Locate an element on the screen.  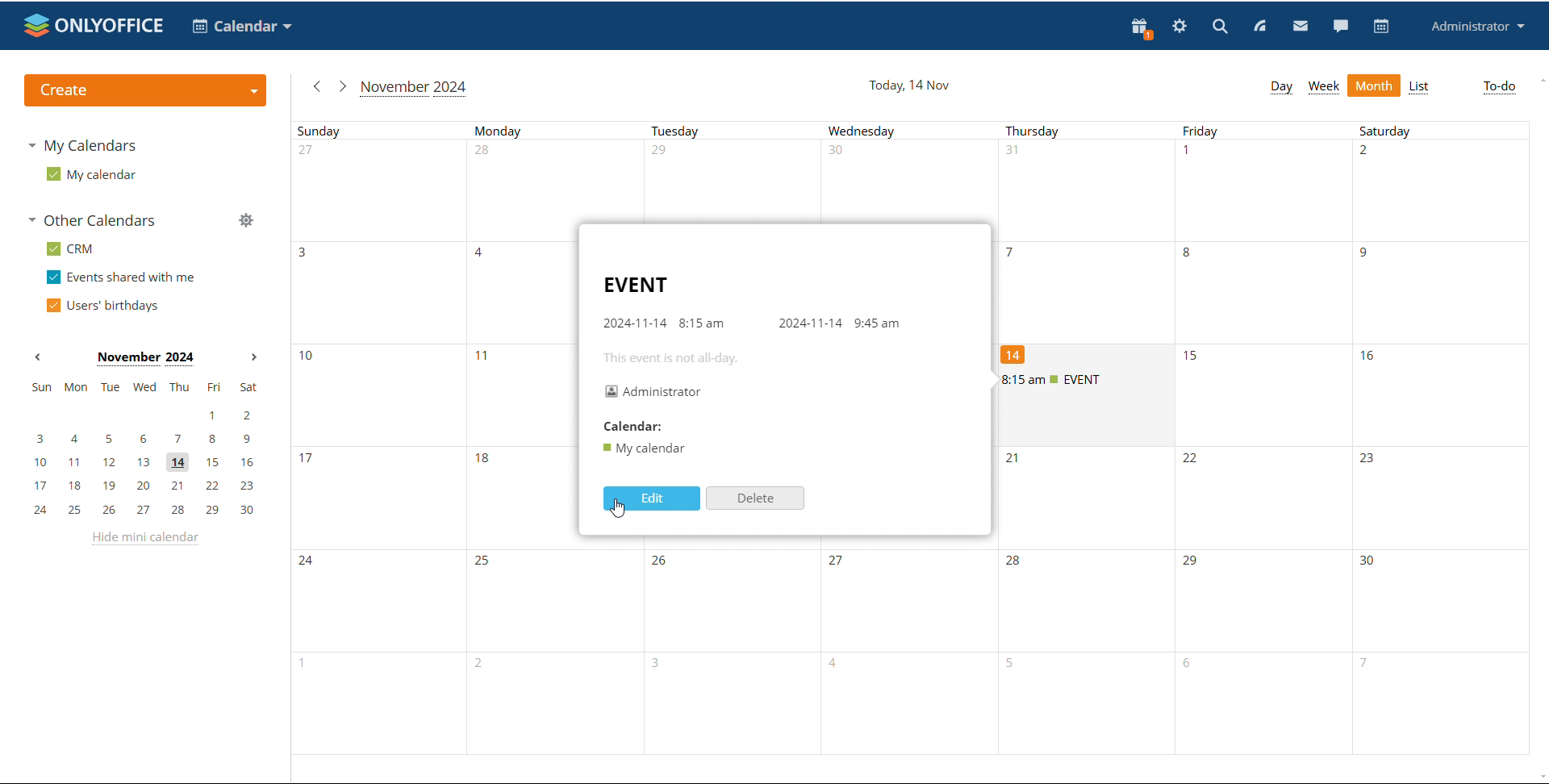
3, 4, 5, 6, 7, 8, 9 is located at coordinates (142, 440).